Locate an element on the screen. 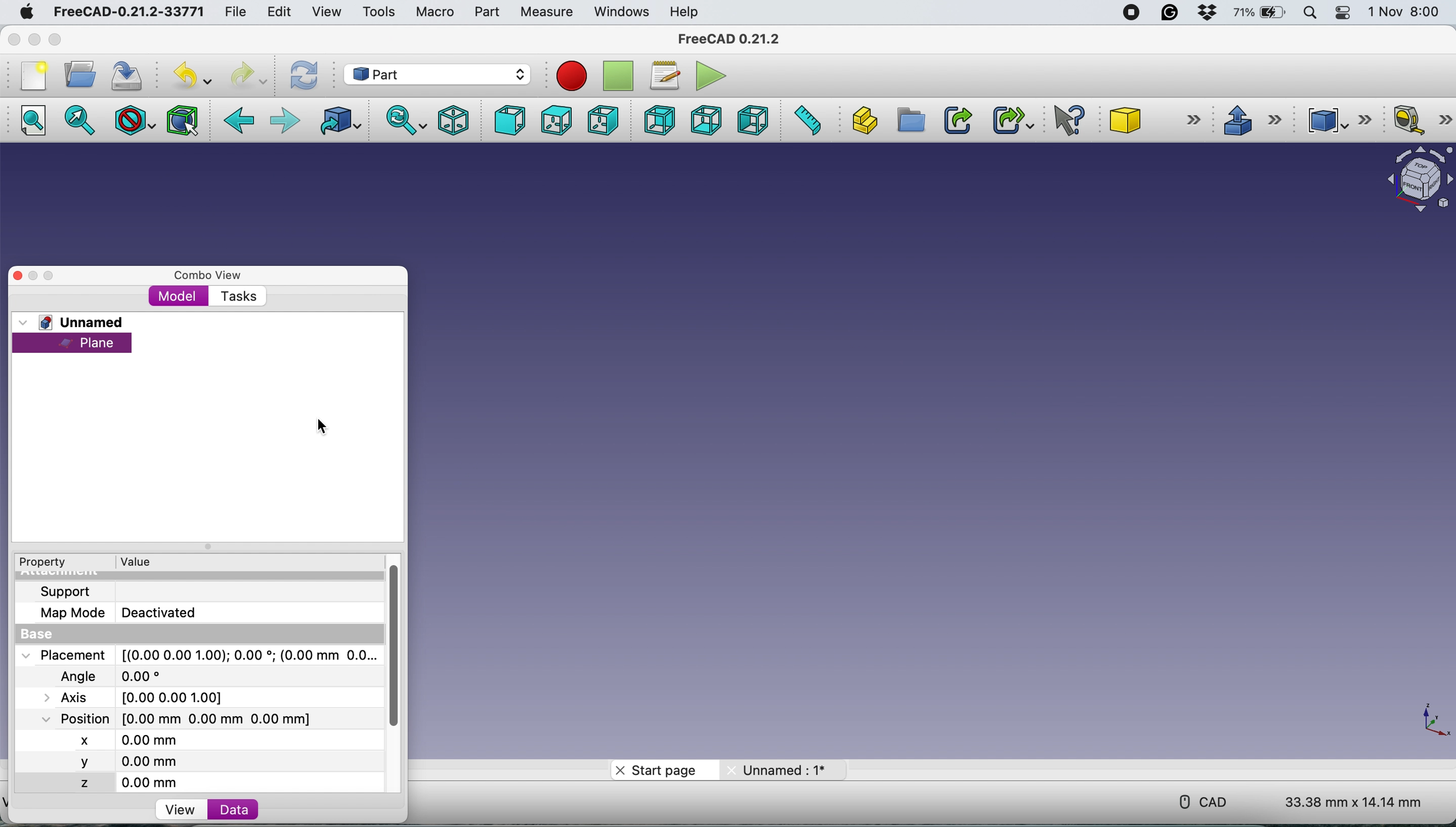 Image resolution: width=1456 pixels, height=827 pixels. xy coordinate is located at coordinates (1428, 722).